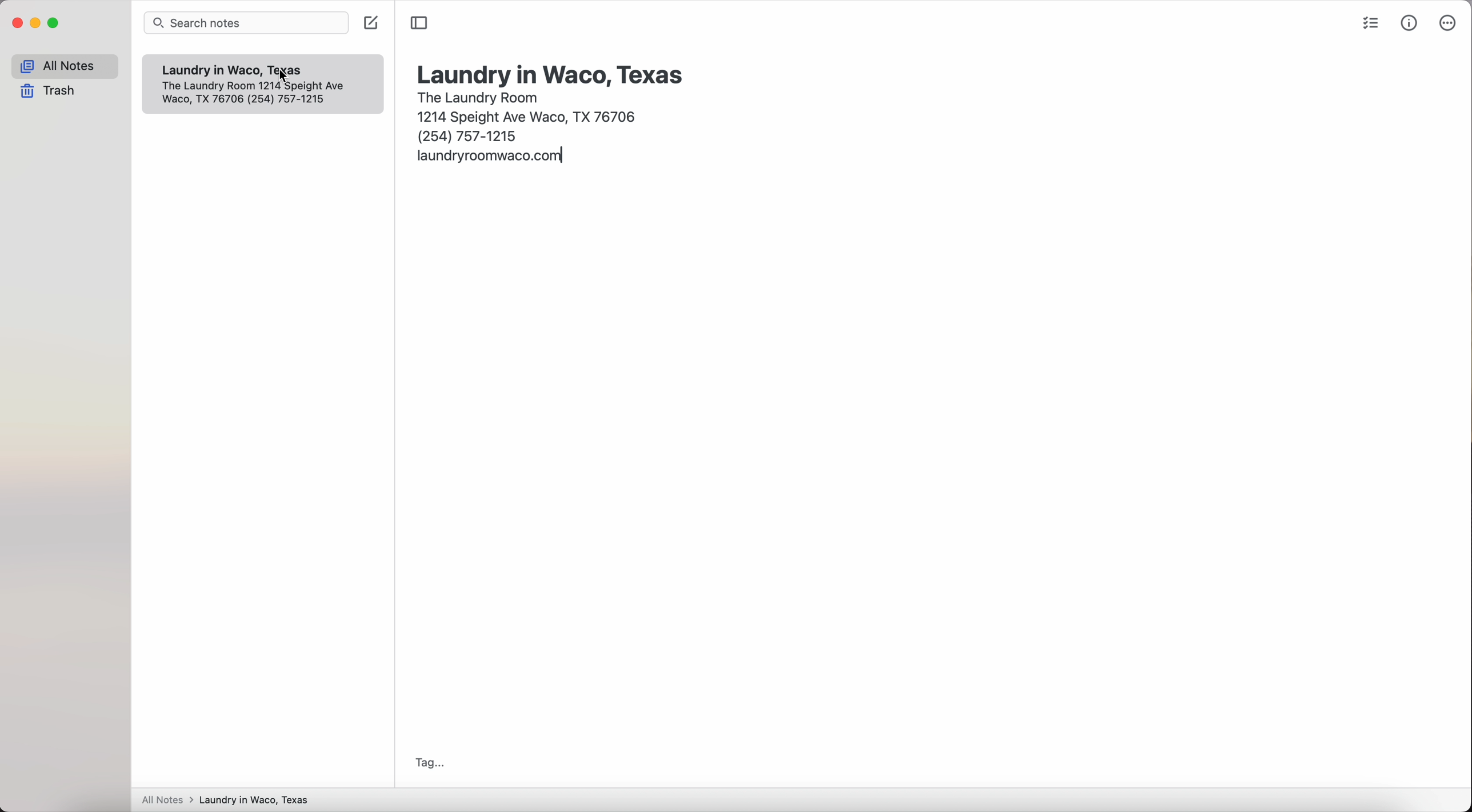  I want to click on (254) 757-1215, so click(469, 135).